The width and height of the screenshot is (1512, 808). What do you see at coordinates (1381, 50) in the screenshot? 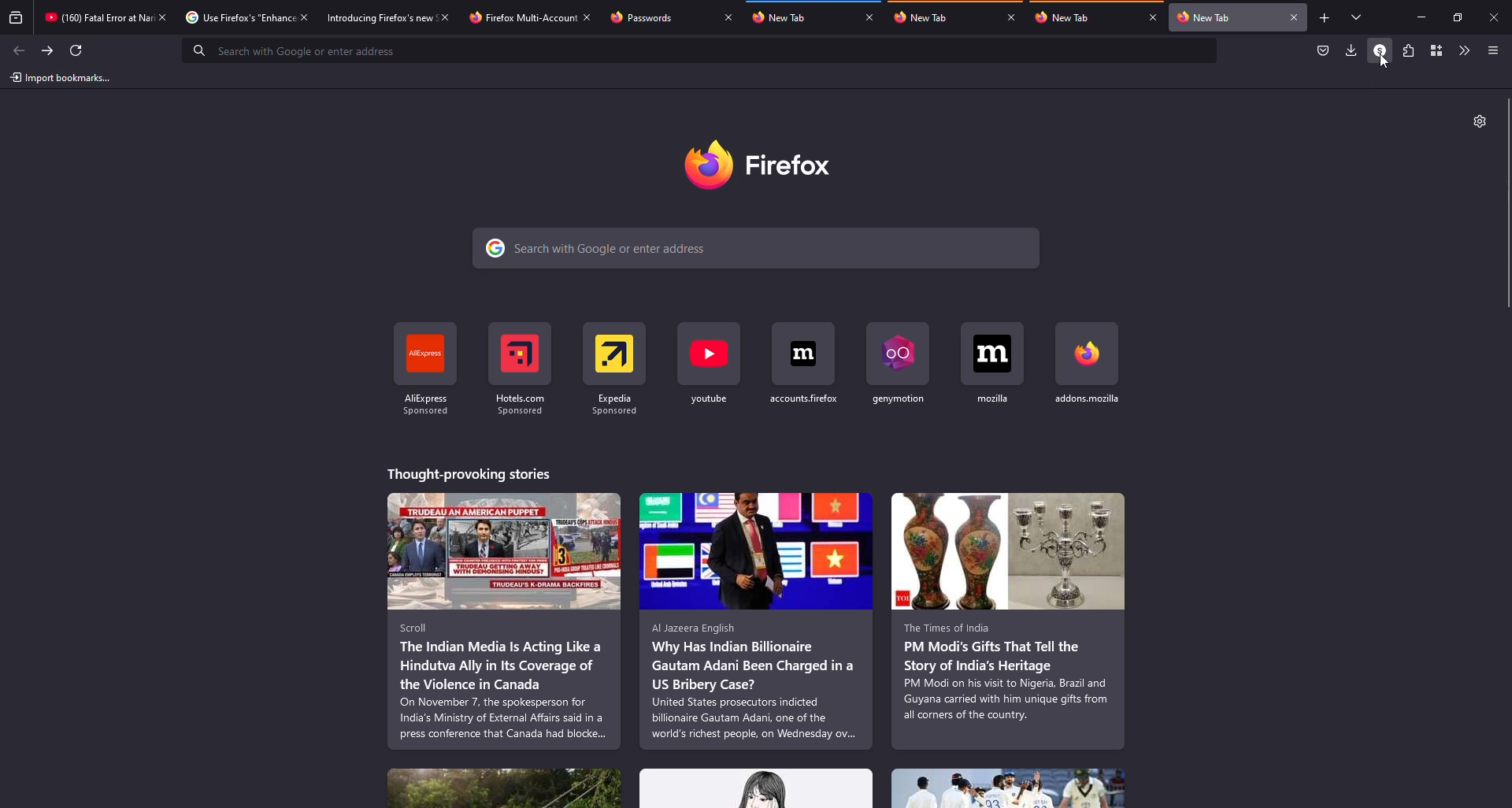
I see `profile` at bounding box center [1381, 50].